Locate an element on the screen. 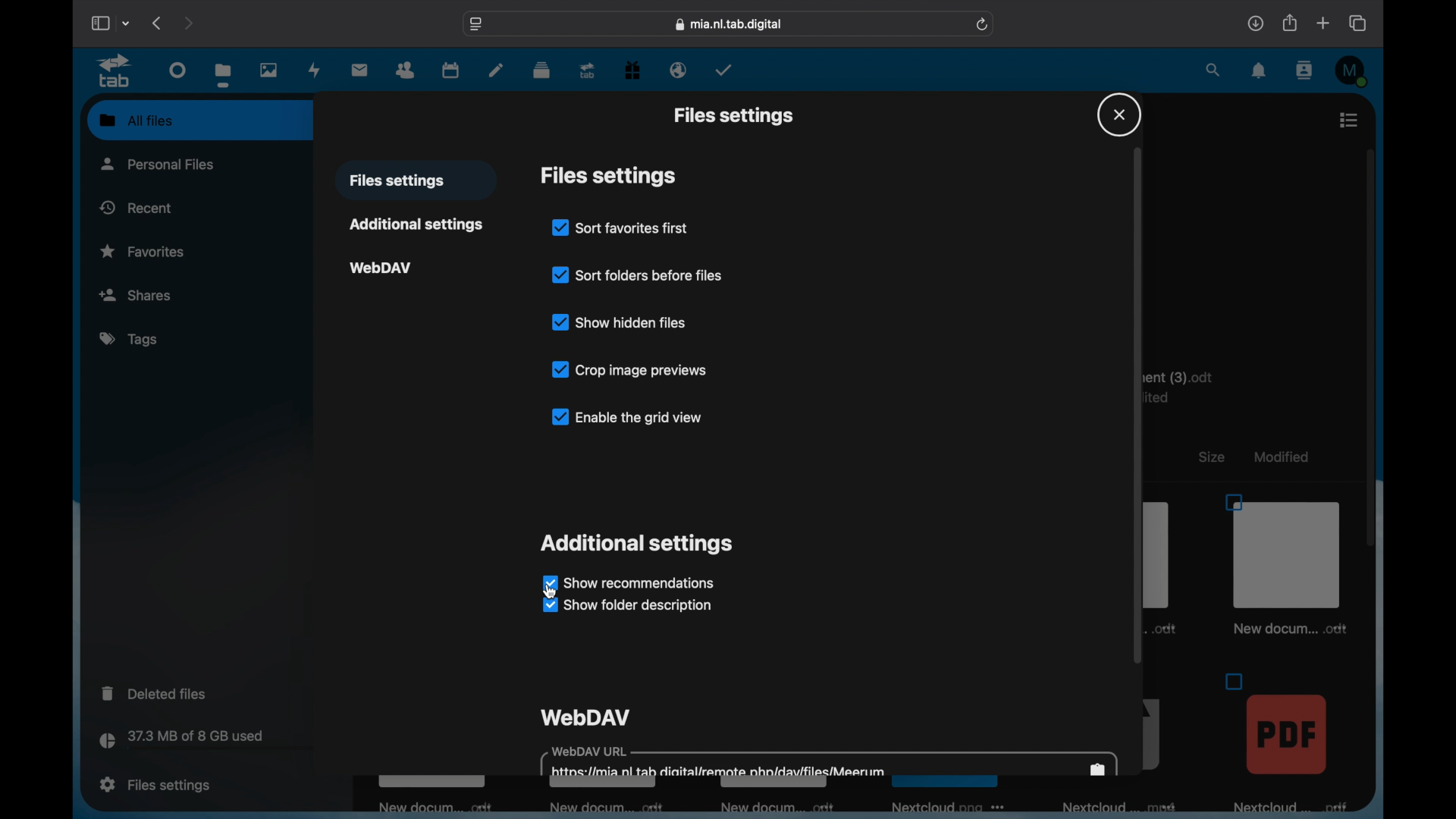 The width and height of the screenshot is (1456, 819). web address is located at coordinates (728, 24).